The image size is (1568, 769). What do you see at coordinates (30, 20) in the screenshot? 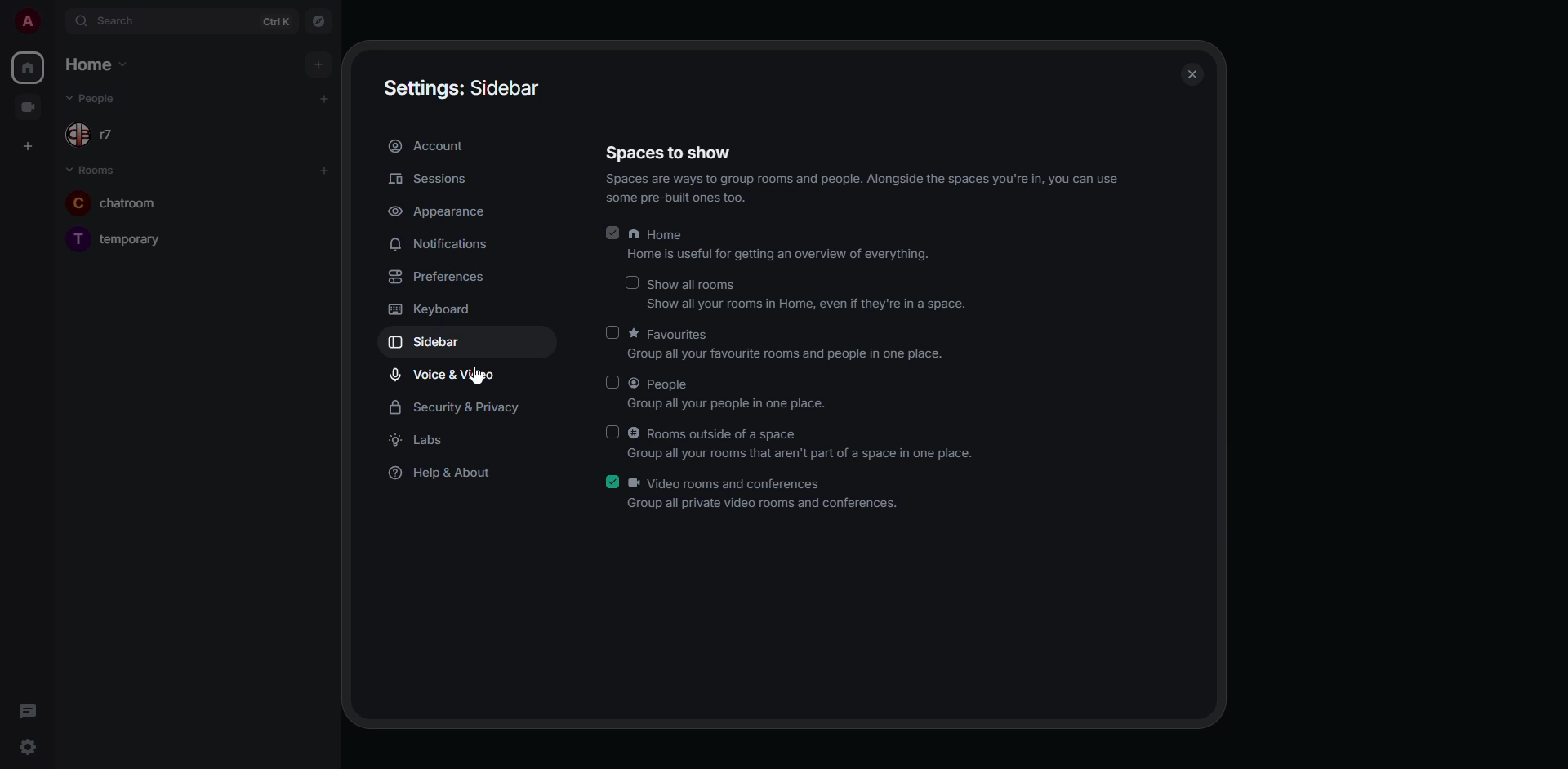
I see `profile` at bounding box center [30, 20].